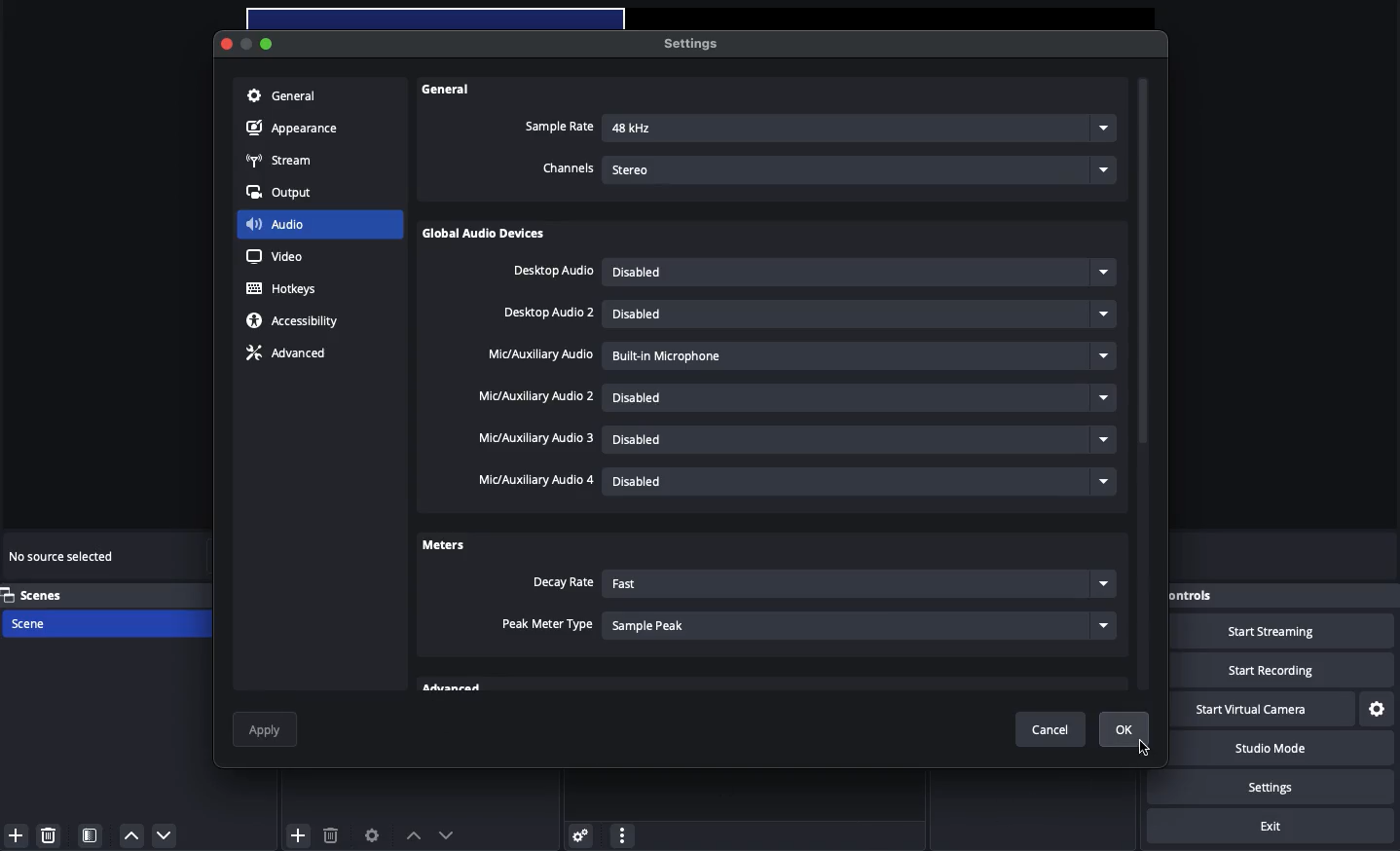  I want to click on Cursor, so click(1146, 747).